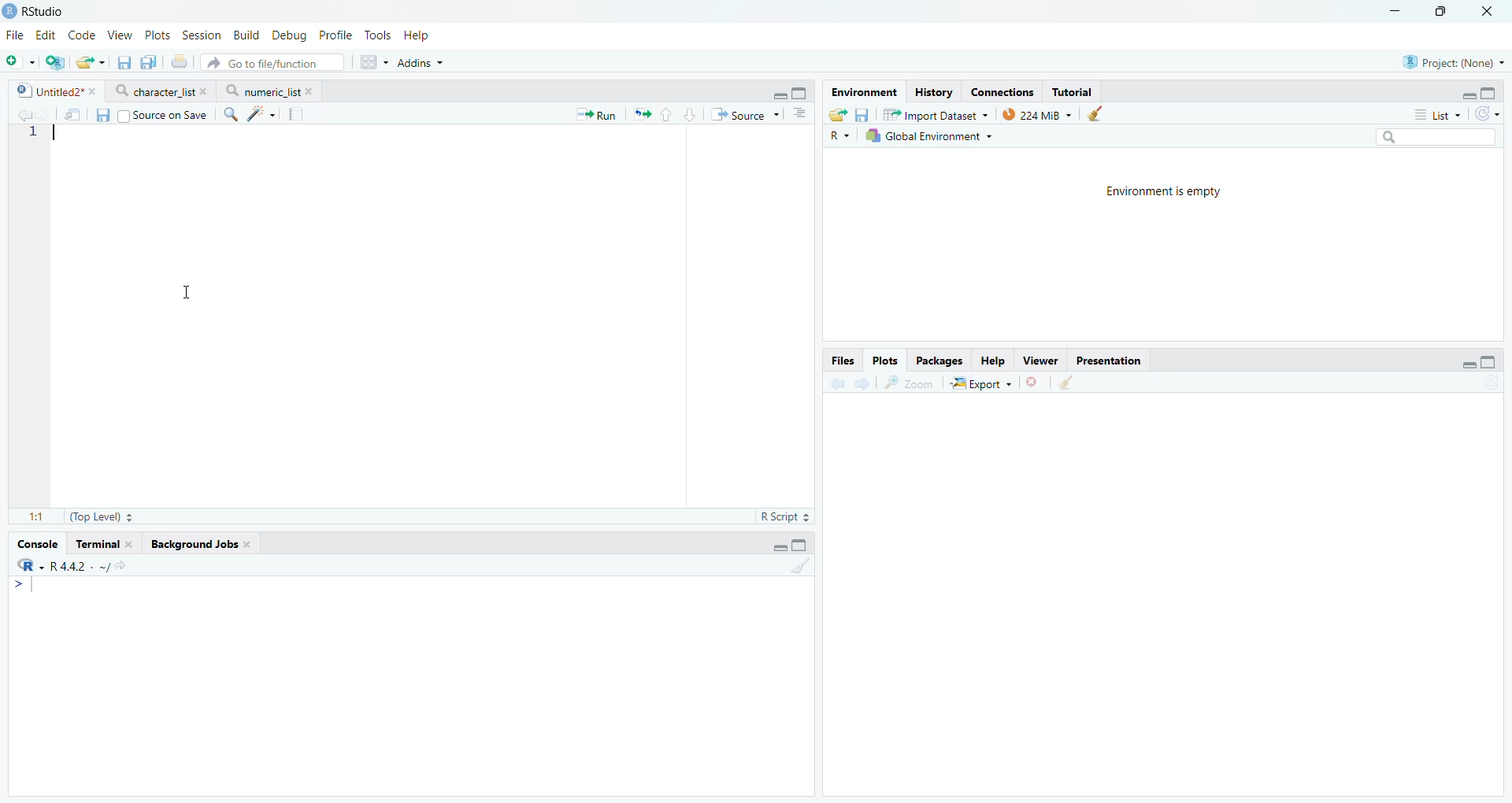  Describe the element at coordinates (839, 135) in the screenshot. I see `R` at that location.